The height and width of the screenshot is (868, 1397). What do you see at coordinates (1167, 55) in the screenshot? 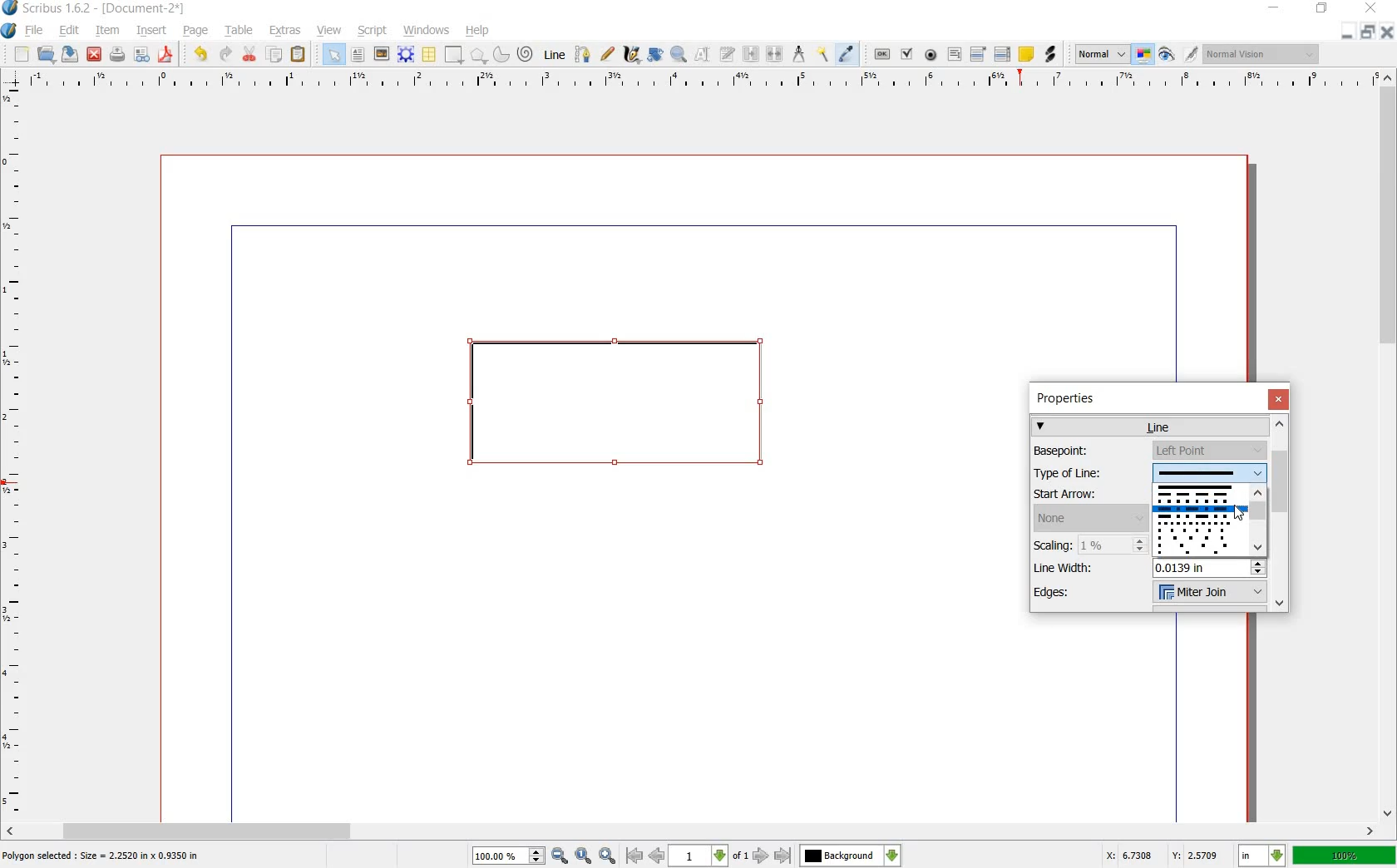
I see `PREVIEW MODE` at bounding box center [1167, 55].